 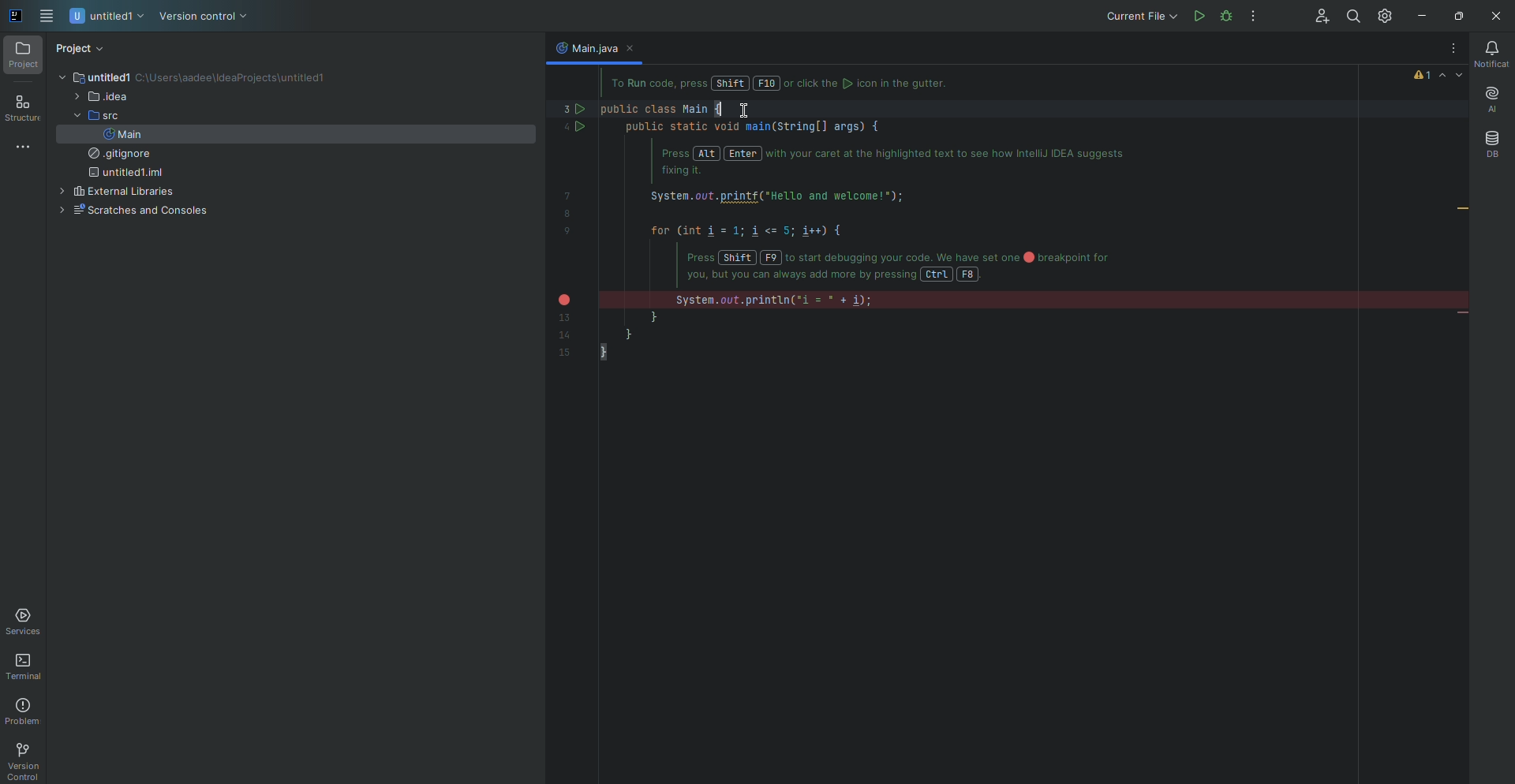 I want to click on Untitled 1, so click(x=92, y=74).